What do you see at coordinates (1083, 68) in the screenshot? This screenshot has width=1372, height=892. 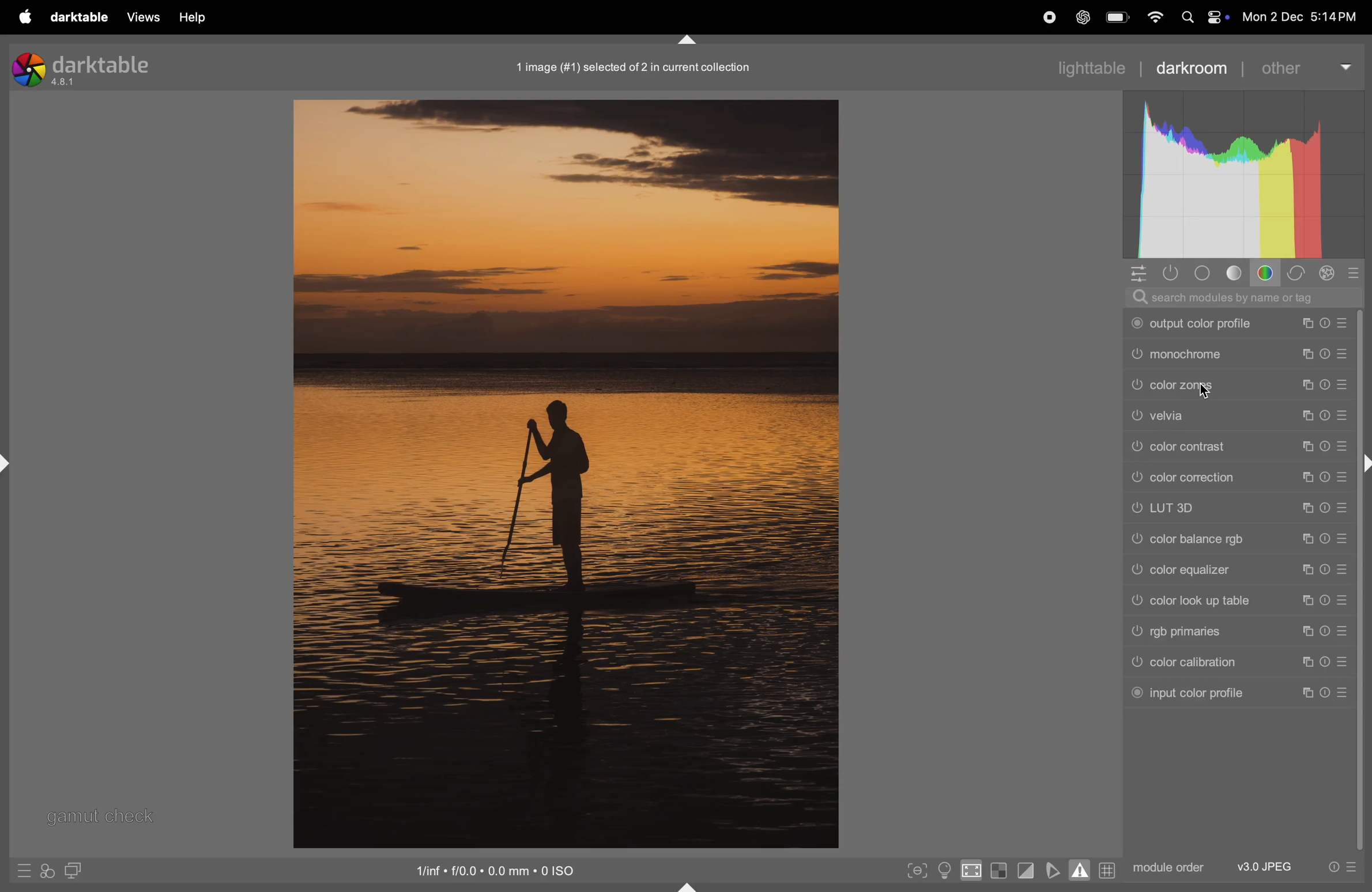 I see `lightable` at bounding box center [1083, 68].